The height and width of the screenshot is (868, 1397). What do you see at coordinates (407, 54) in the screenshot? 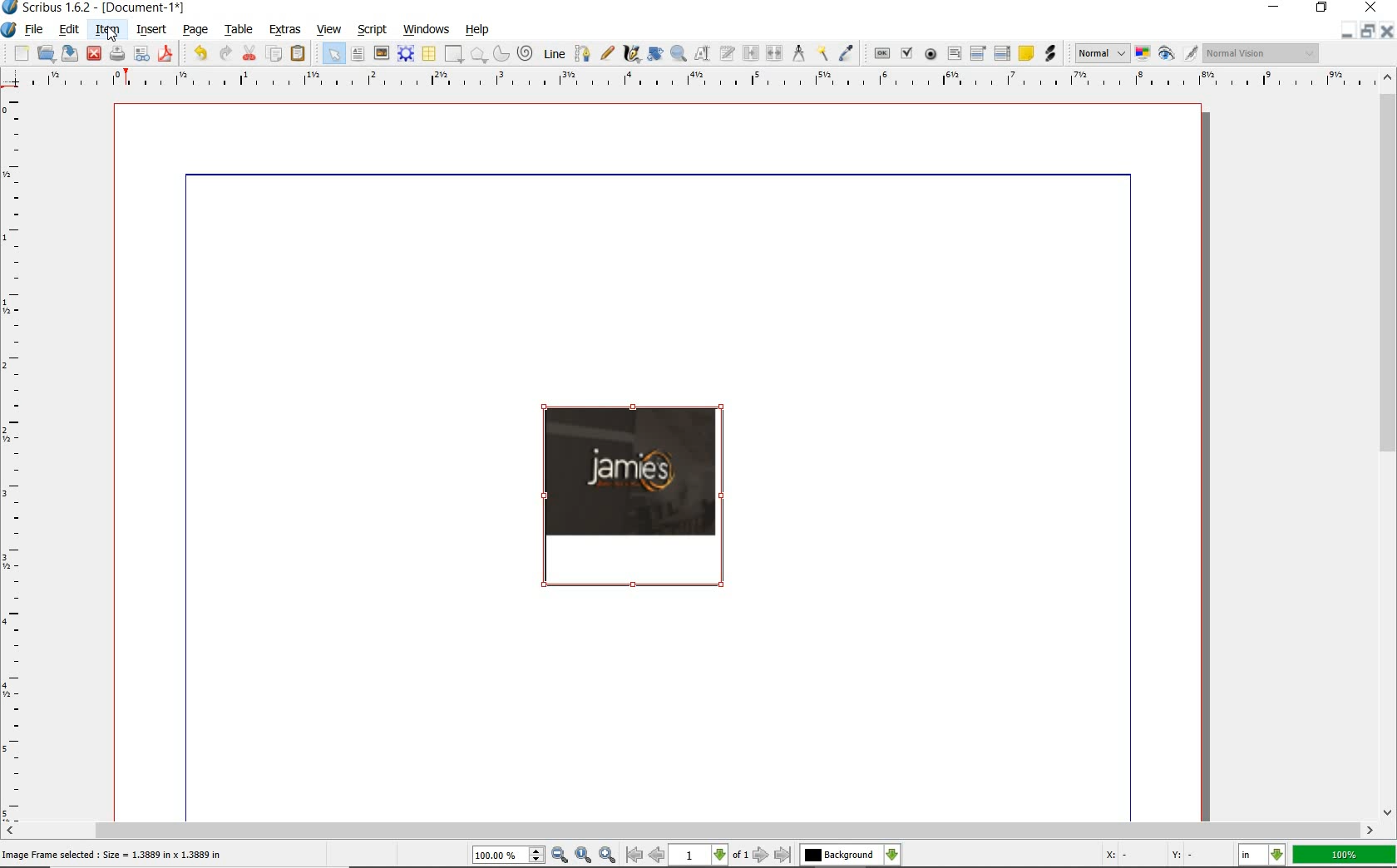
I see `render frame` at bounding box center [407, 54].